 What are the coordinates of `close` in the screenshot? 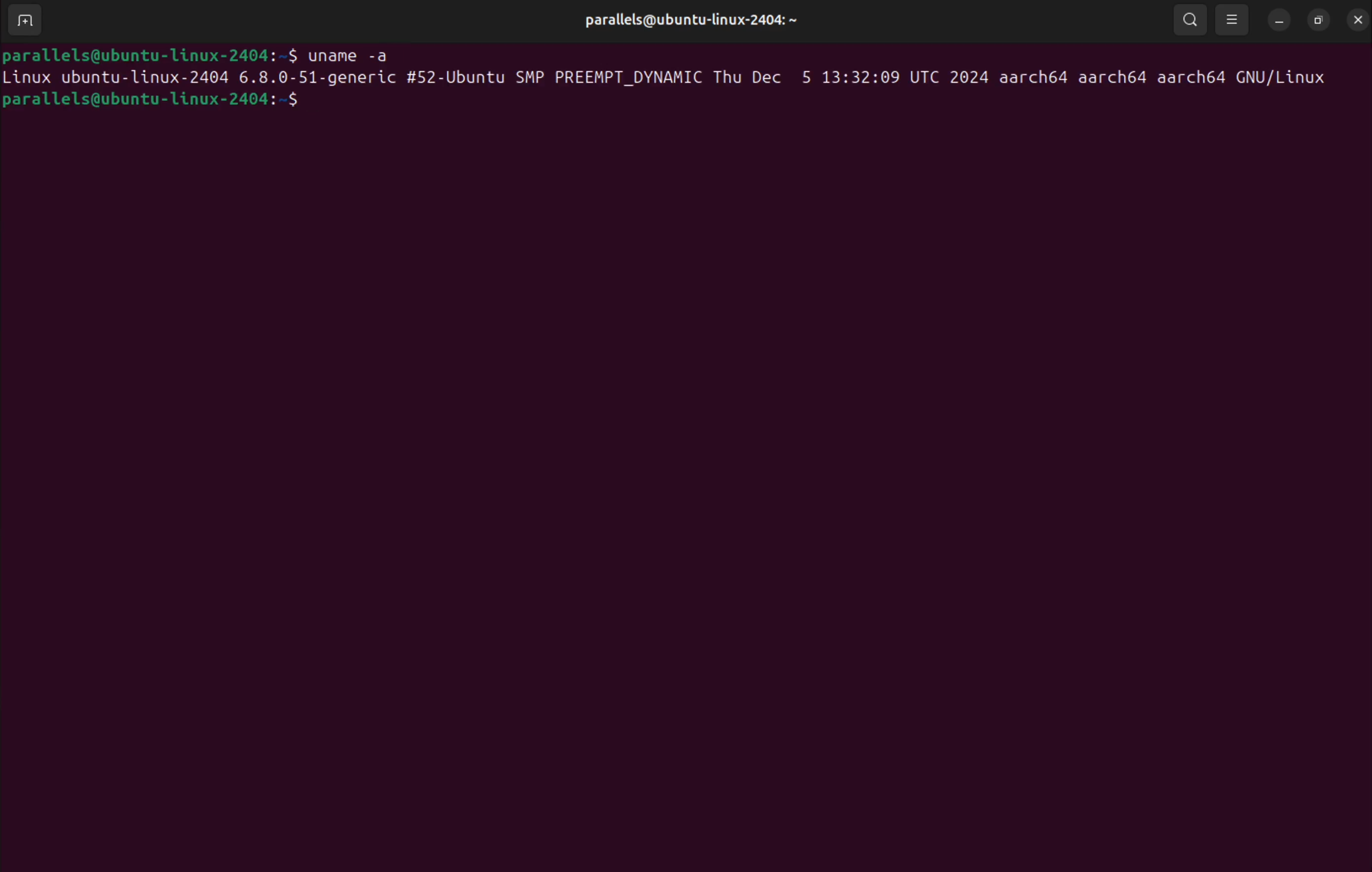 It's located at (1354, 19).